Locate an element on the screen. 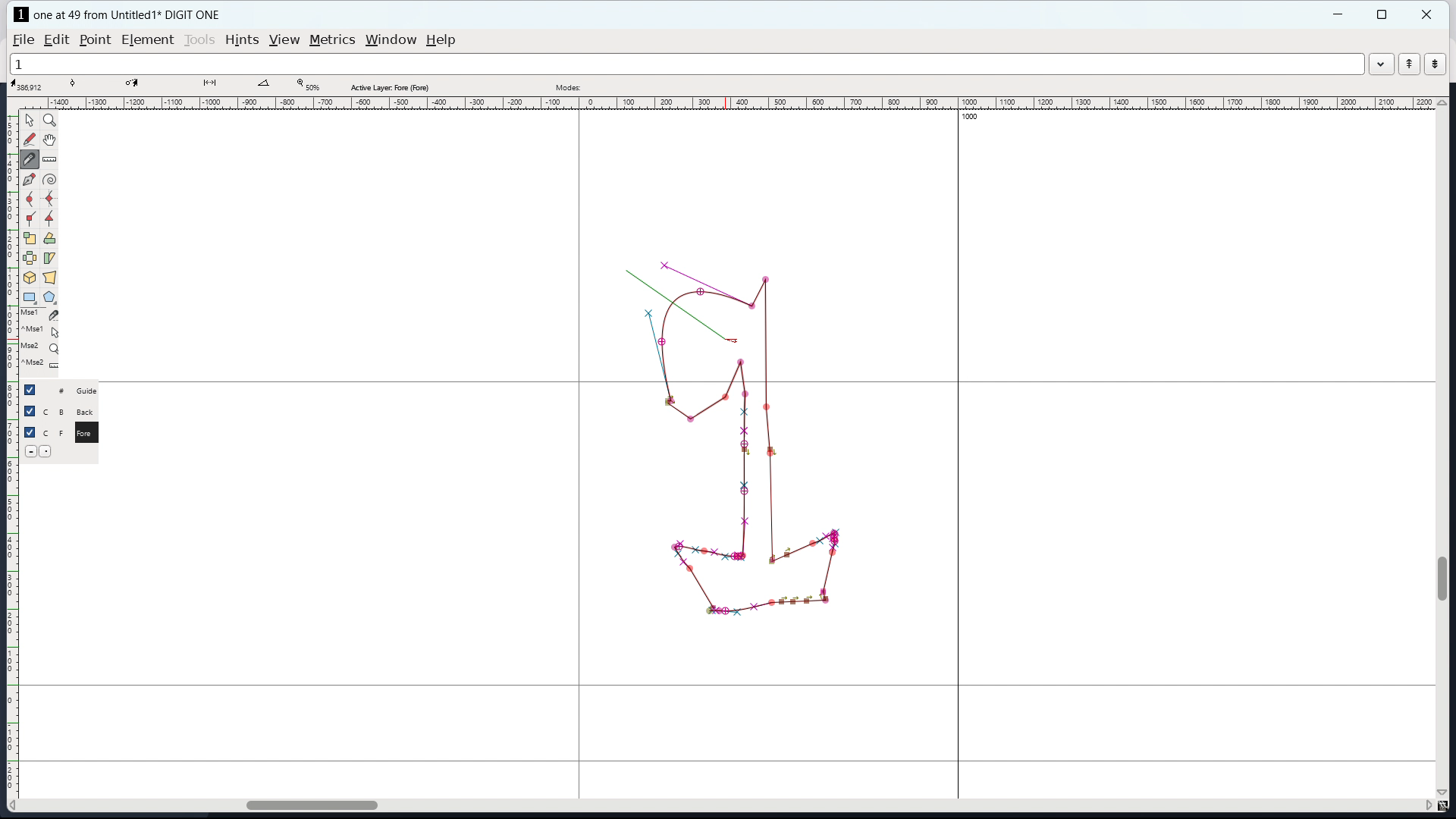 The image size is (1456, 819). help is located at coordinates (441, 40).